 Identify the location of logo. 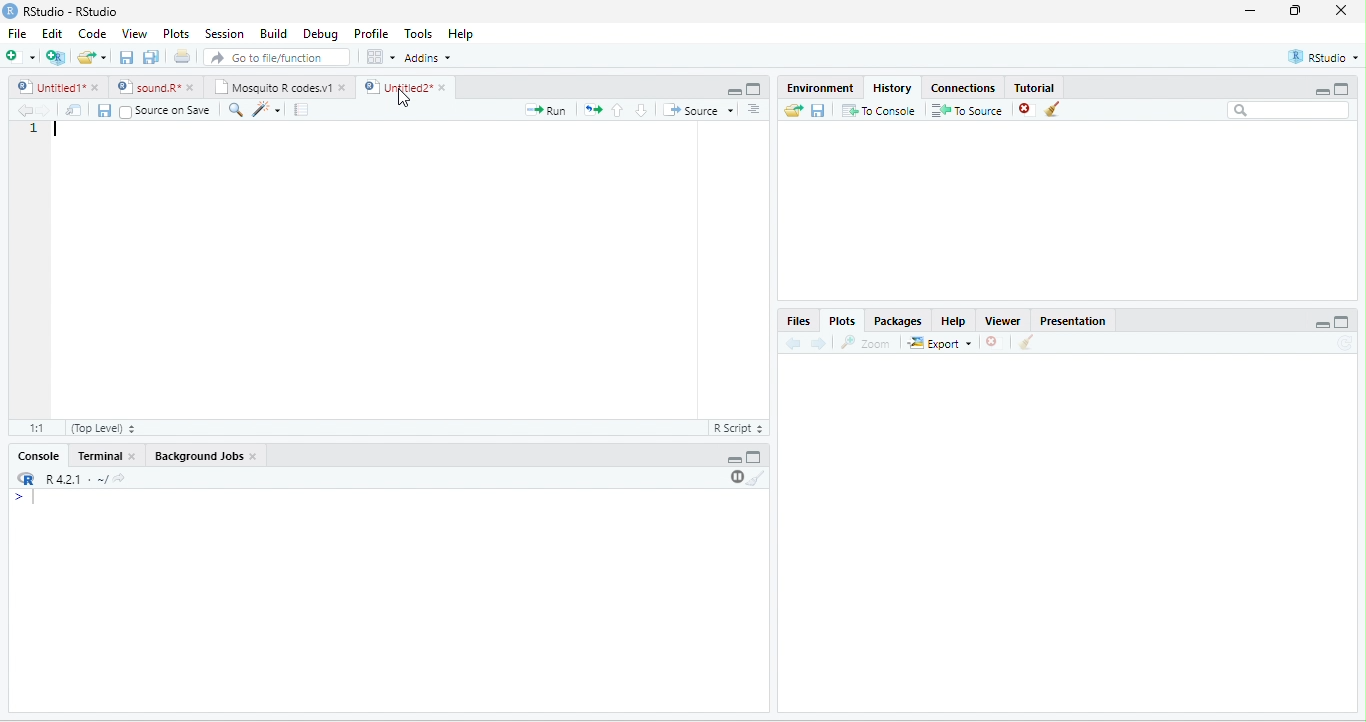
(9, 11).